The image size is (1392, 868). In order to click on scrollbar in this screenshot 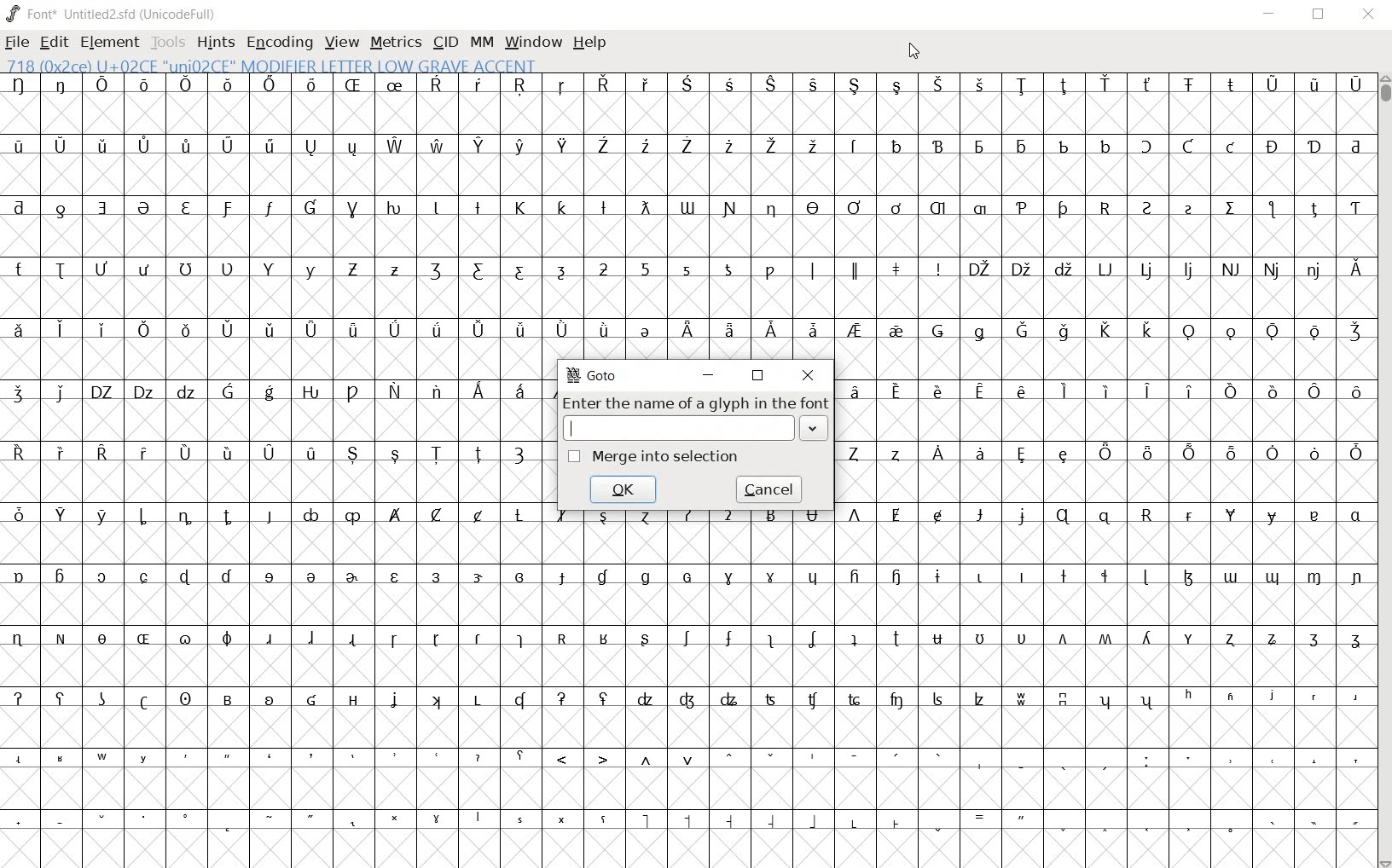, I will do `click(1383, 472)`.